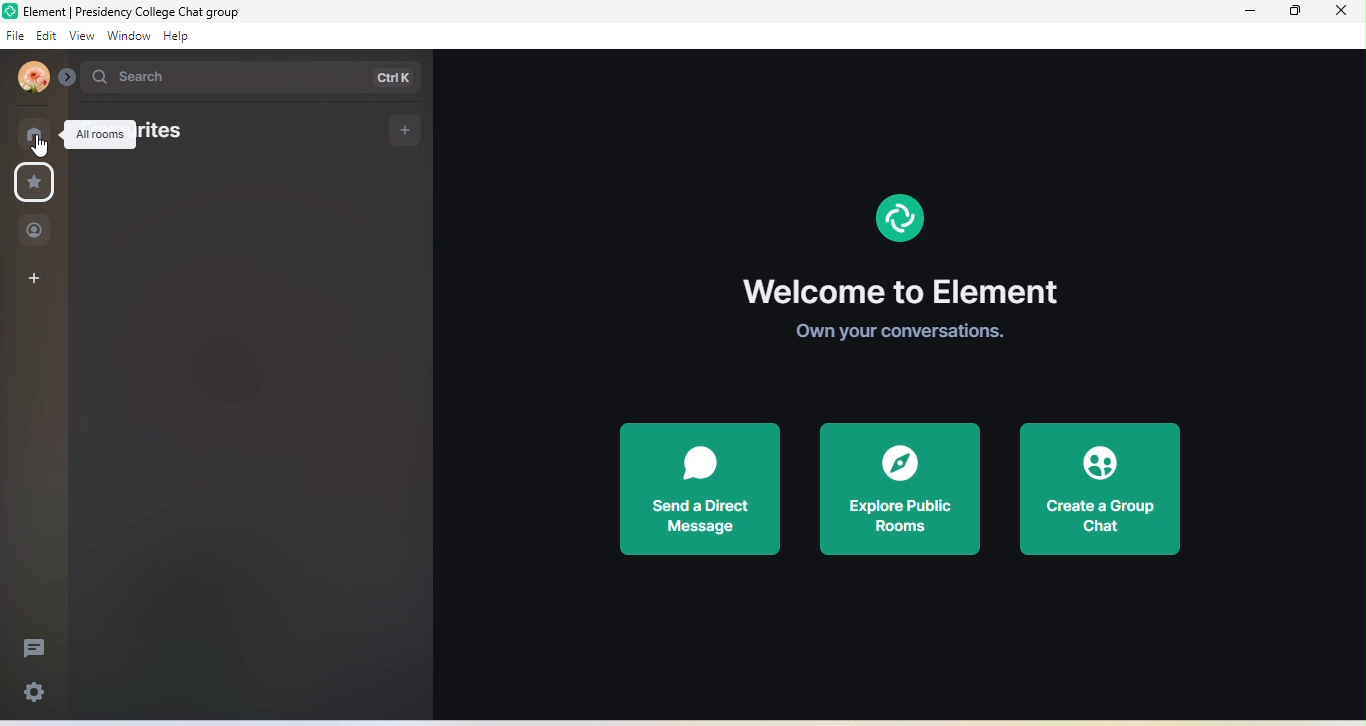 The image size is (1366, 726). What do you see at coordinates (10, 11) in the screenshot?
I see `app icon` at bounding box center [10, 11].